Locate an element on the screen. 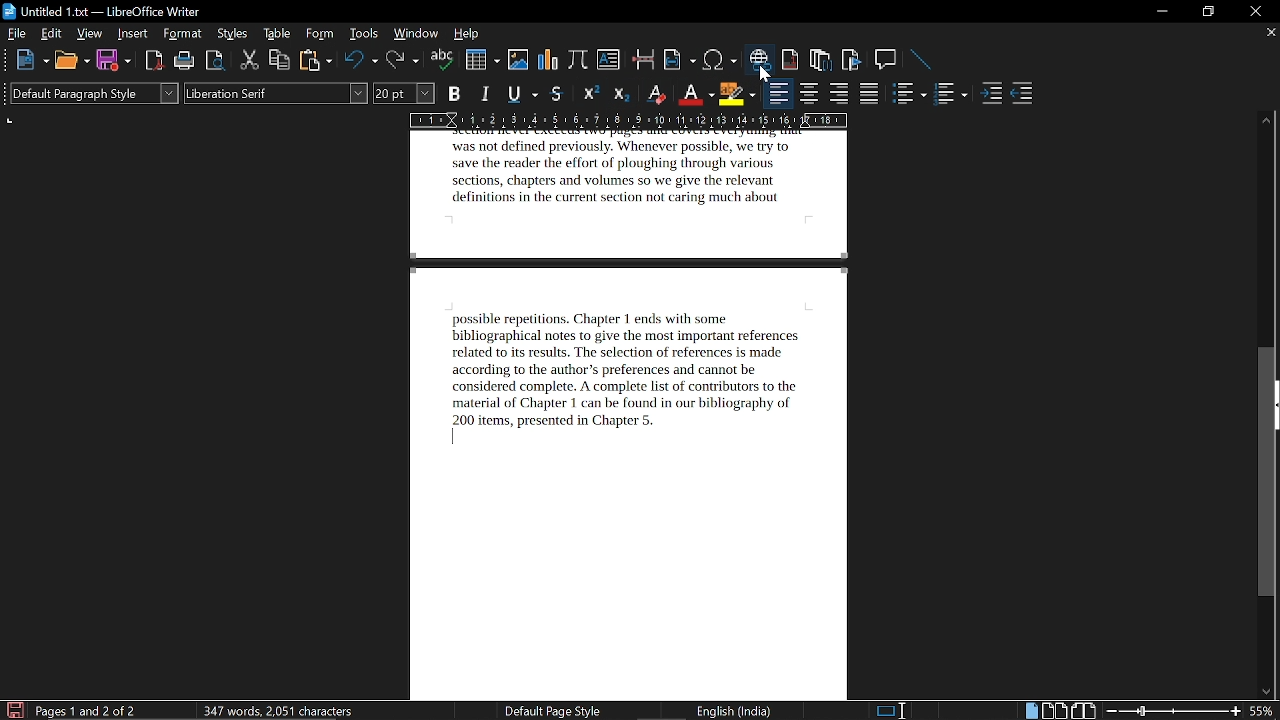 The image size is (1280, 720). insert endnote is located at coordinates (821, 61).